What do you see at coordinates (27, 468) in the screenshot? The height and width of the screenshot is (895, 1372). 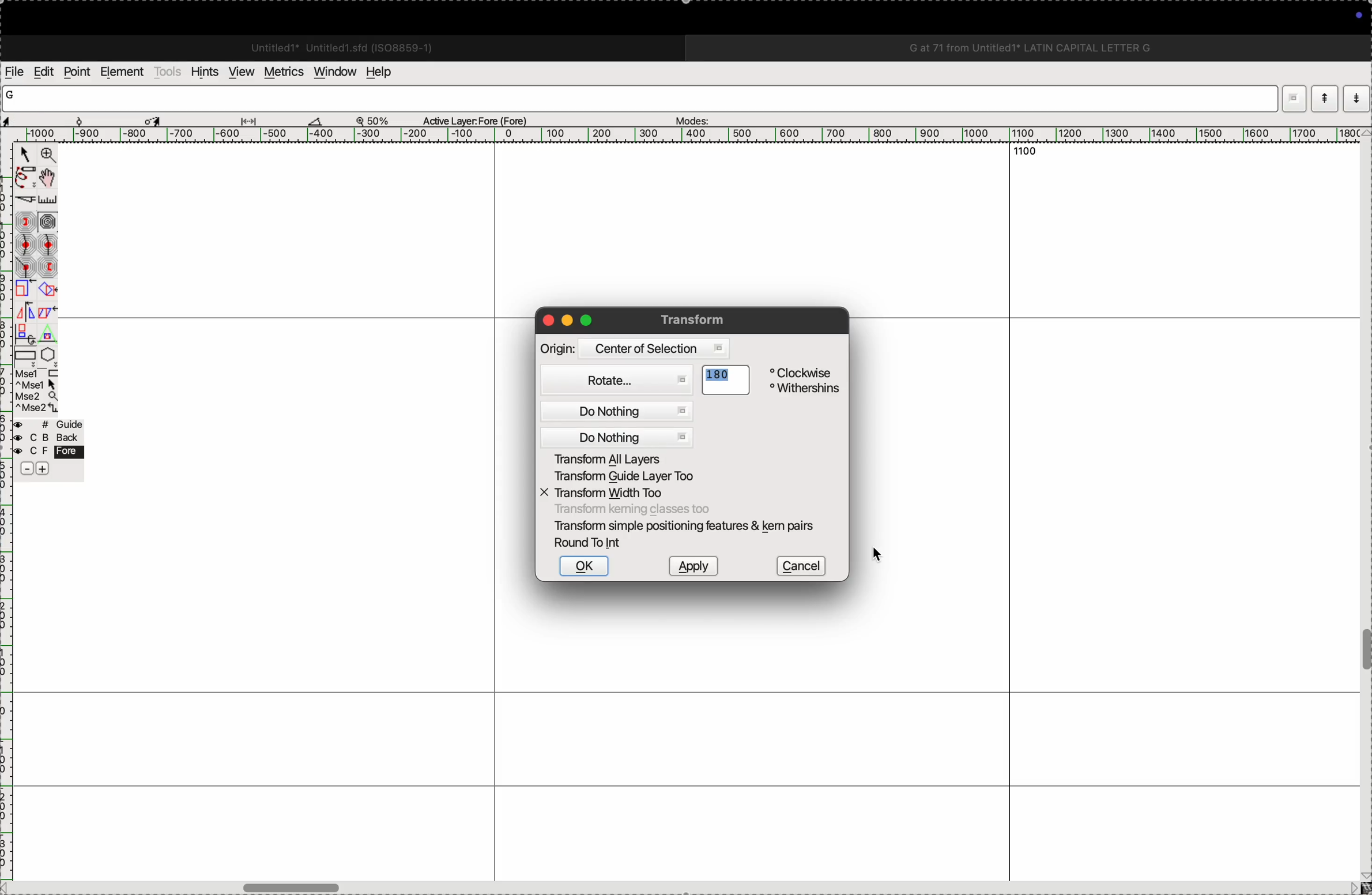 I see `decrease` at bounding box center [27, 468].